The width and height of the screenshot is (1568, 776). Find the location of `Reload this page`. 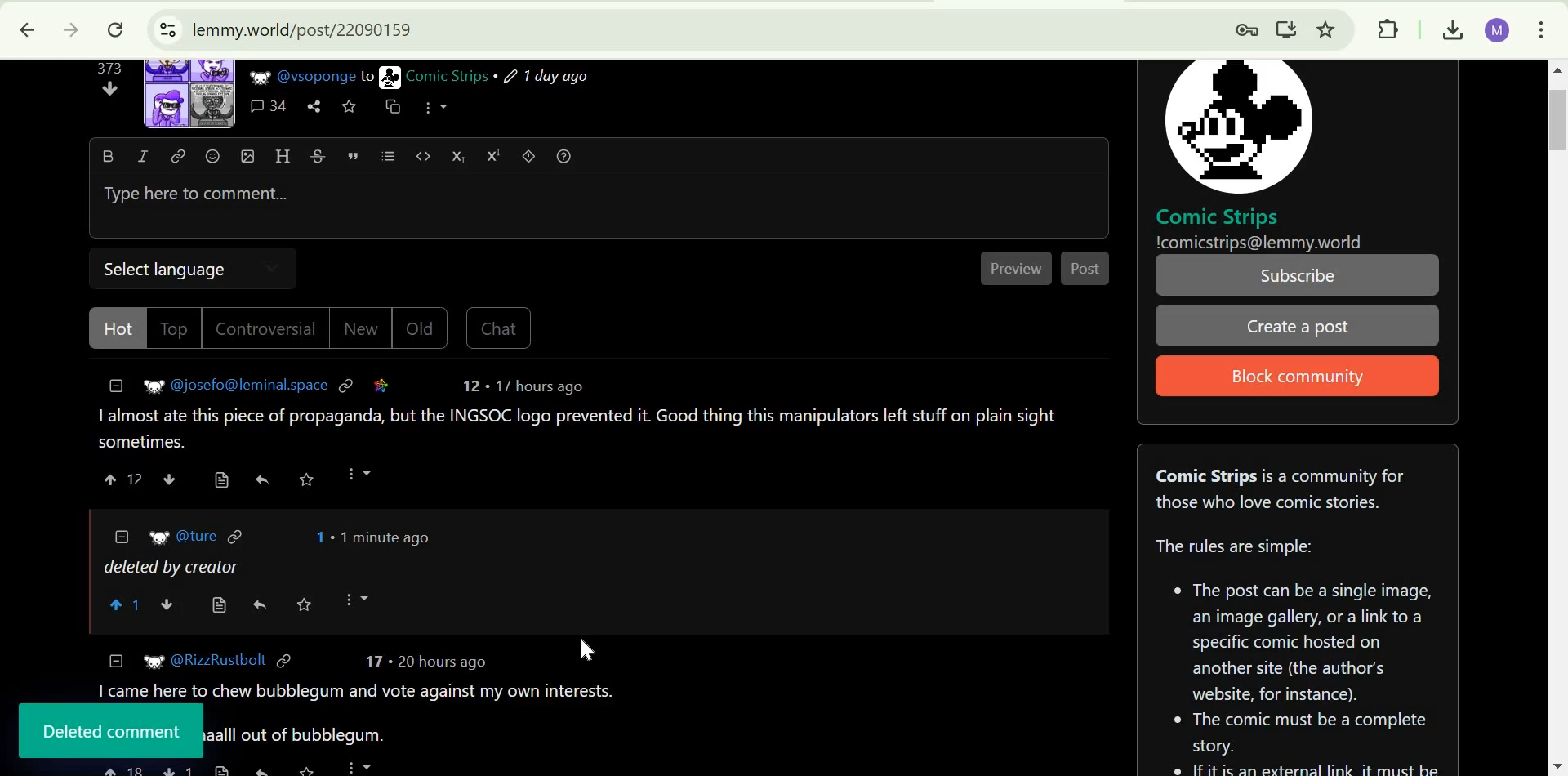

Reload this page is located at coordinates (115, 30).